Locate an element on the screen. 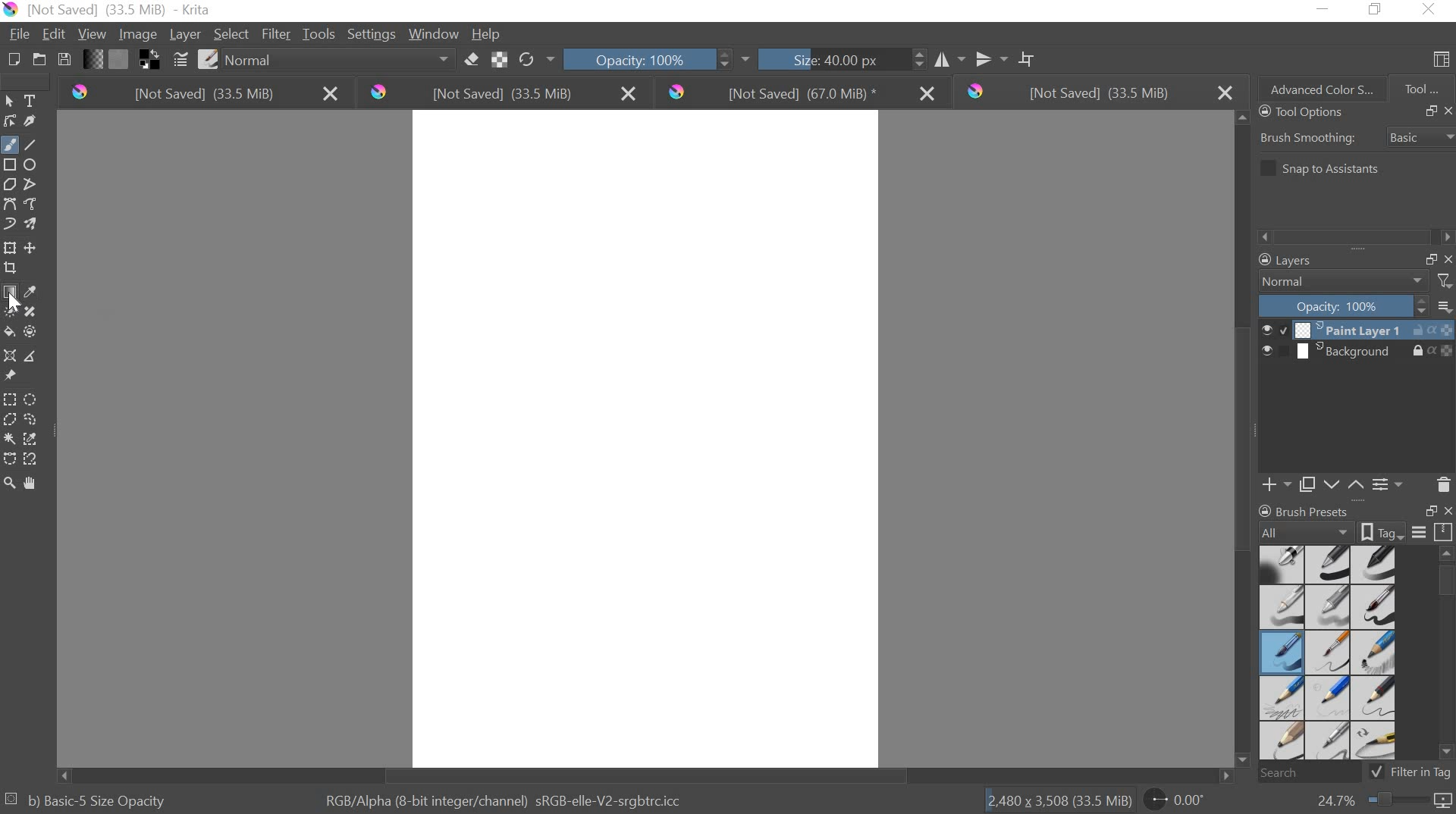  CLOSE is located at coordinates (1446, 512).